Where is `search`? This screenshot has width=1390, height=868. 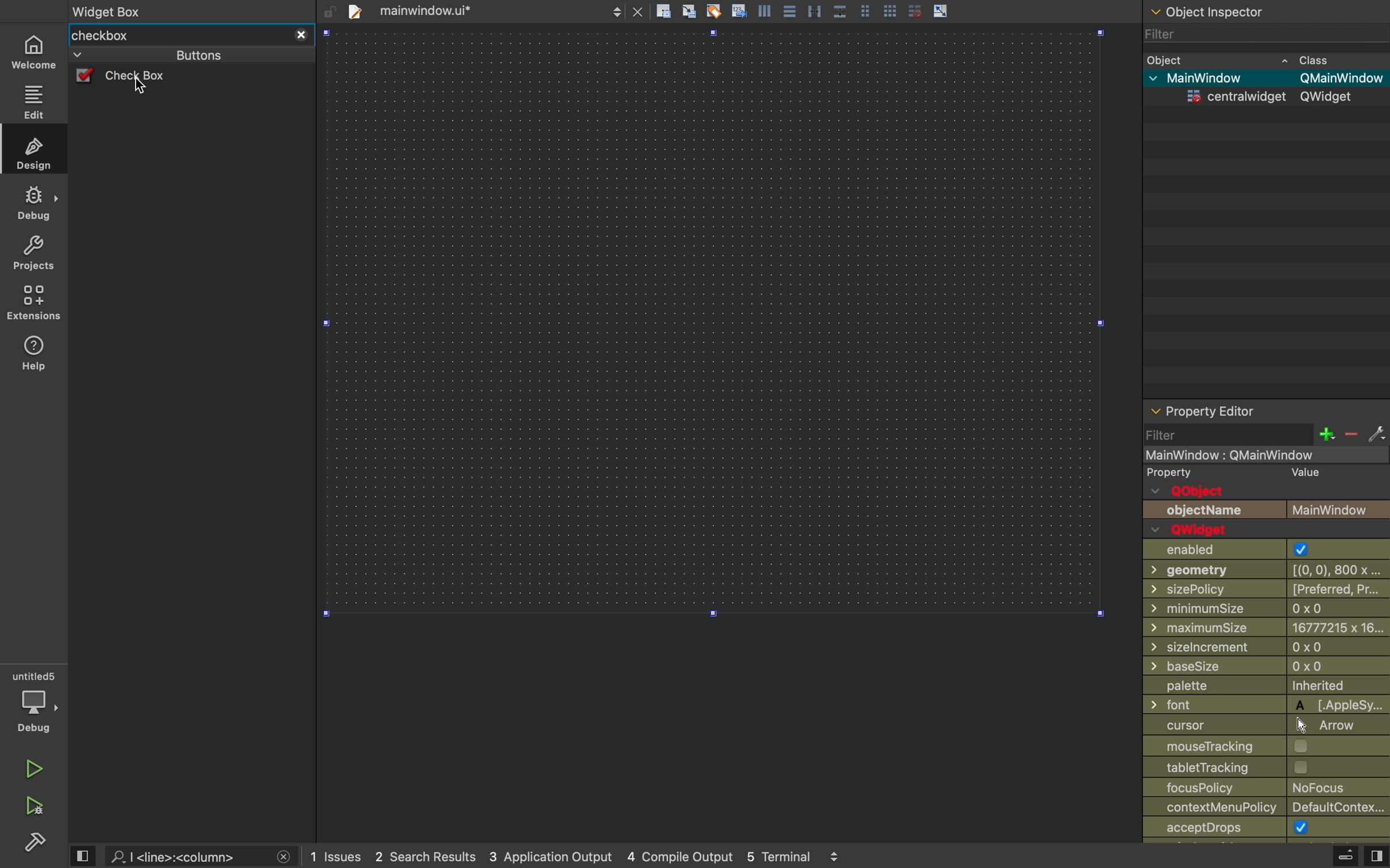 search is located at coordinates (184, 857).